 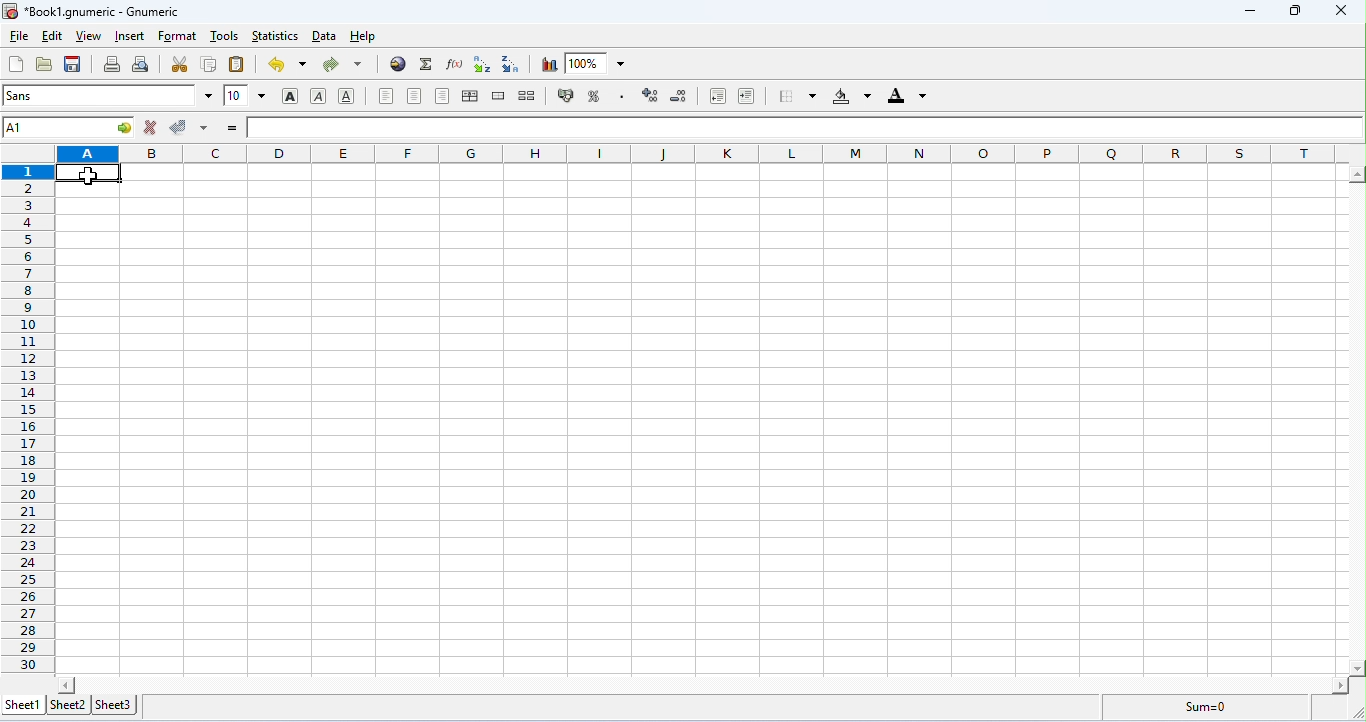 I want to click on sort ascending, so click(x=482, y=65).